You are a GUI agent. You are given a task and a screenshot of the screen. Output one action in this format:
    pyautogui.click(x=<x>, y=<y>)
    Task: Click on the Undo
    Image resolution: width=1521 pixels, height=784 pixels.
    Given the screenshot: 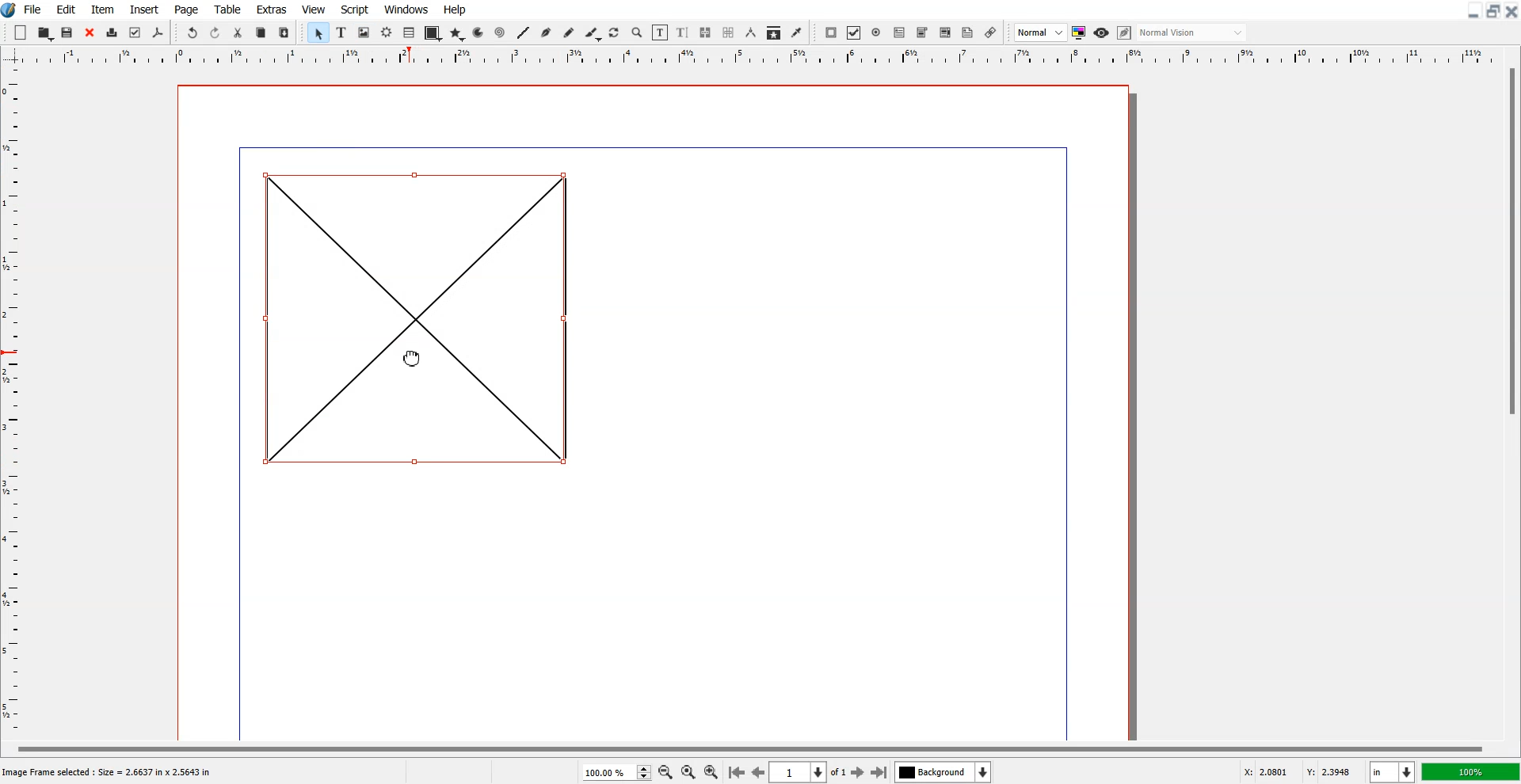 What is the action you would take?
    pyautogui.click(x=193, y=32)
    